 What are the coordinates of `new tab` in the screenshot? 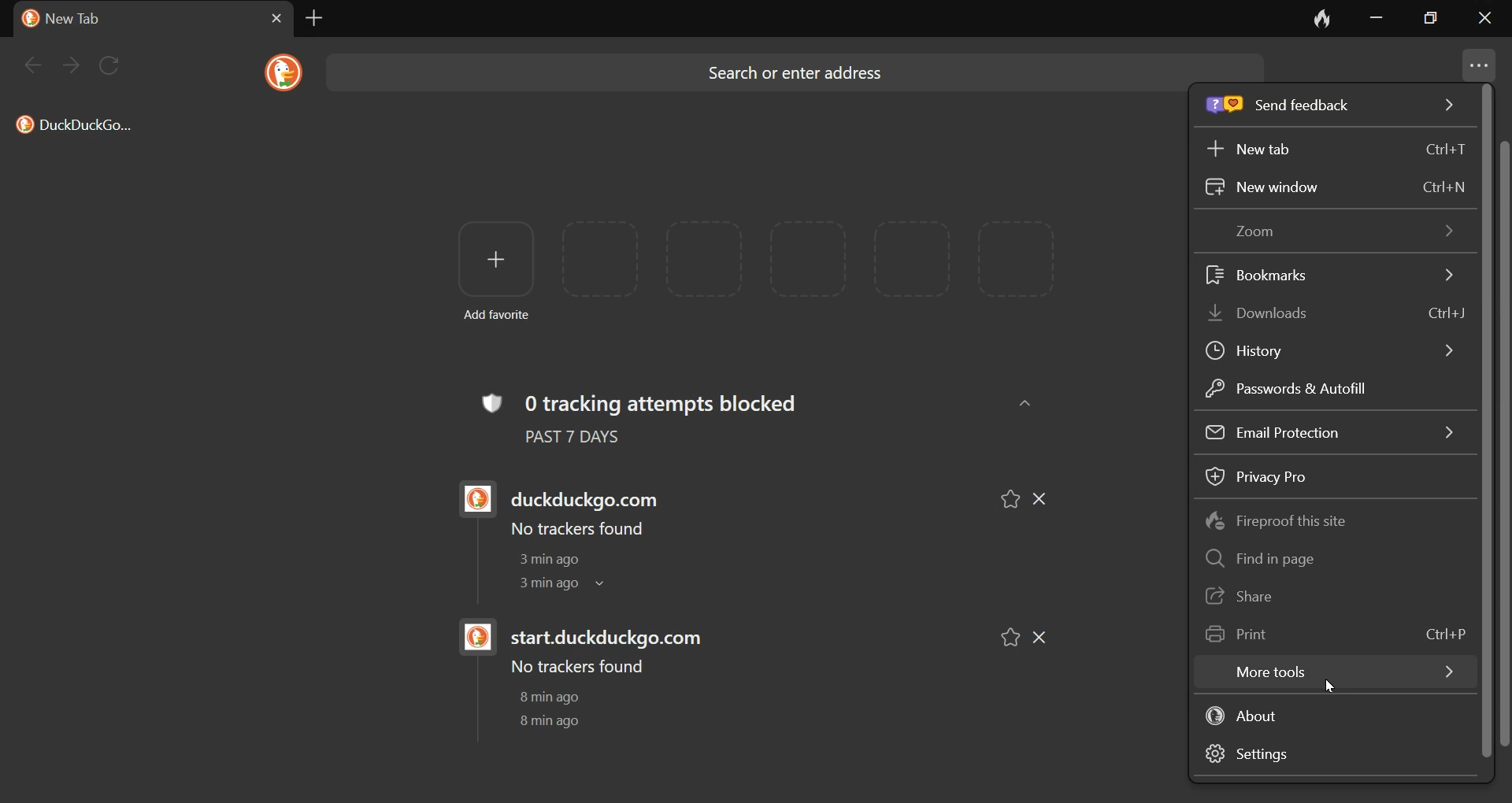 It's located at (79, 17).